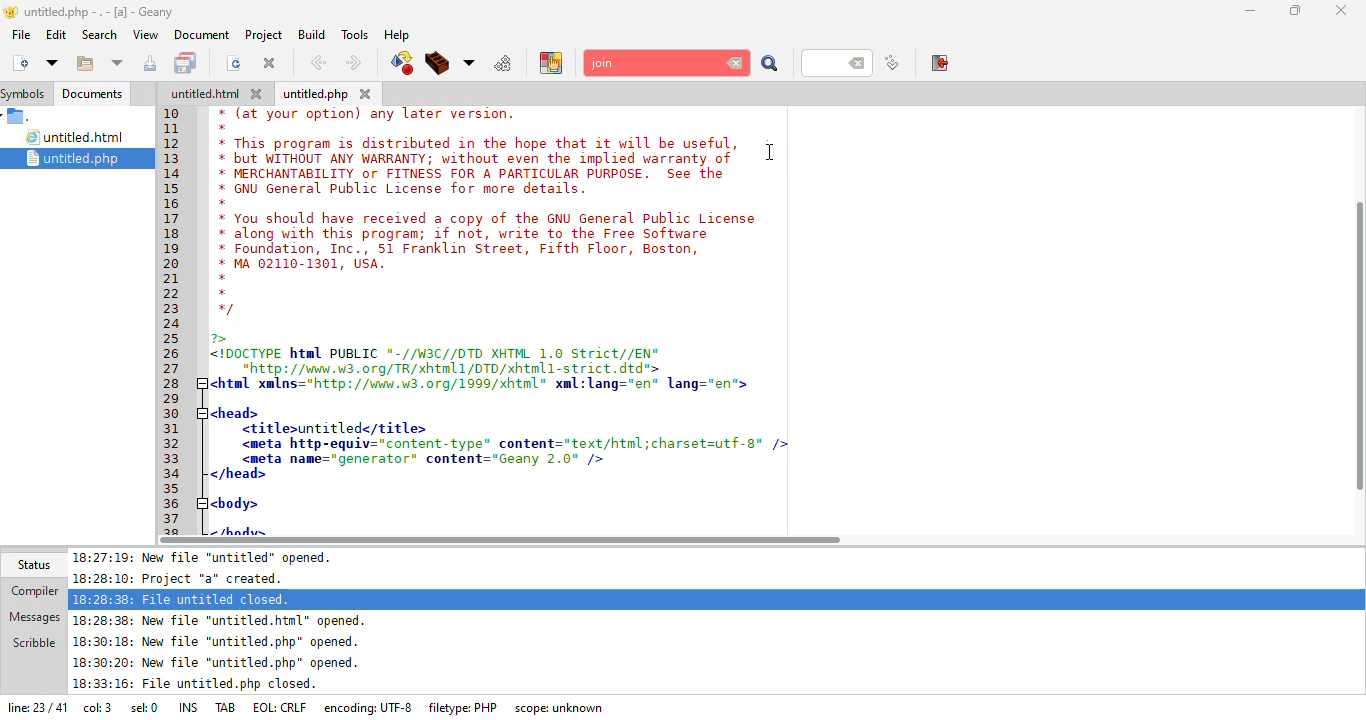 Image resolution: width=1366 pixels, height=720 pixels. What do you see at coordinates (261, 34) in the screenshot?
I see `project` at bounding box center [261, 34].